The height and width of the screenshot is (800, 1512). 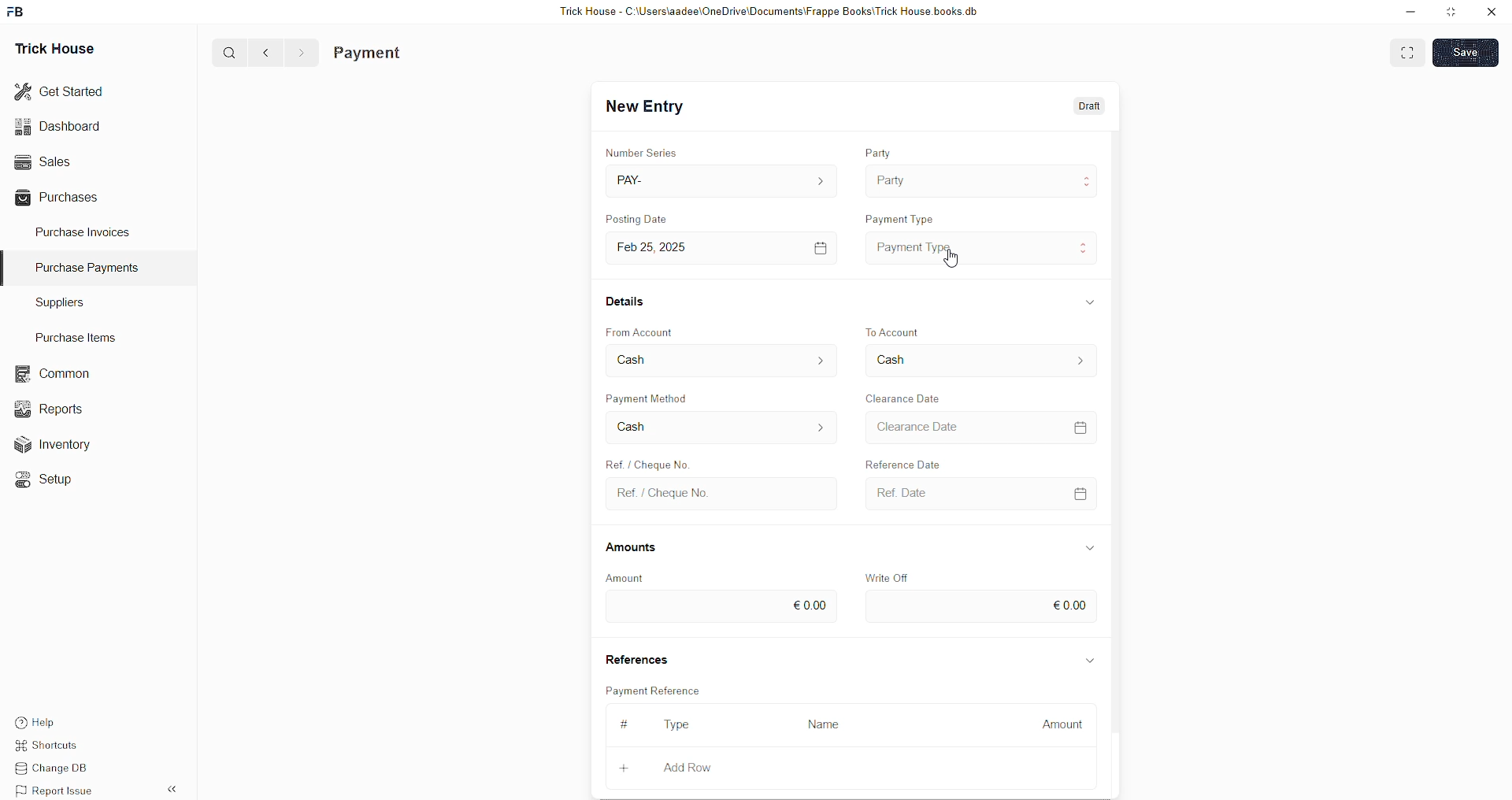 I want to click on  Get Started, so click(x=60, y=90).